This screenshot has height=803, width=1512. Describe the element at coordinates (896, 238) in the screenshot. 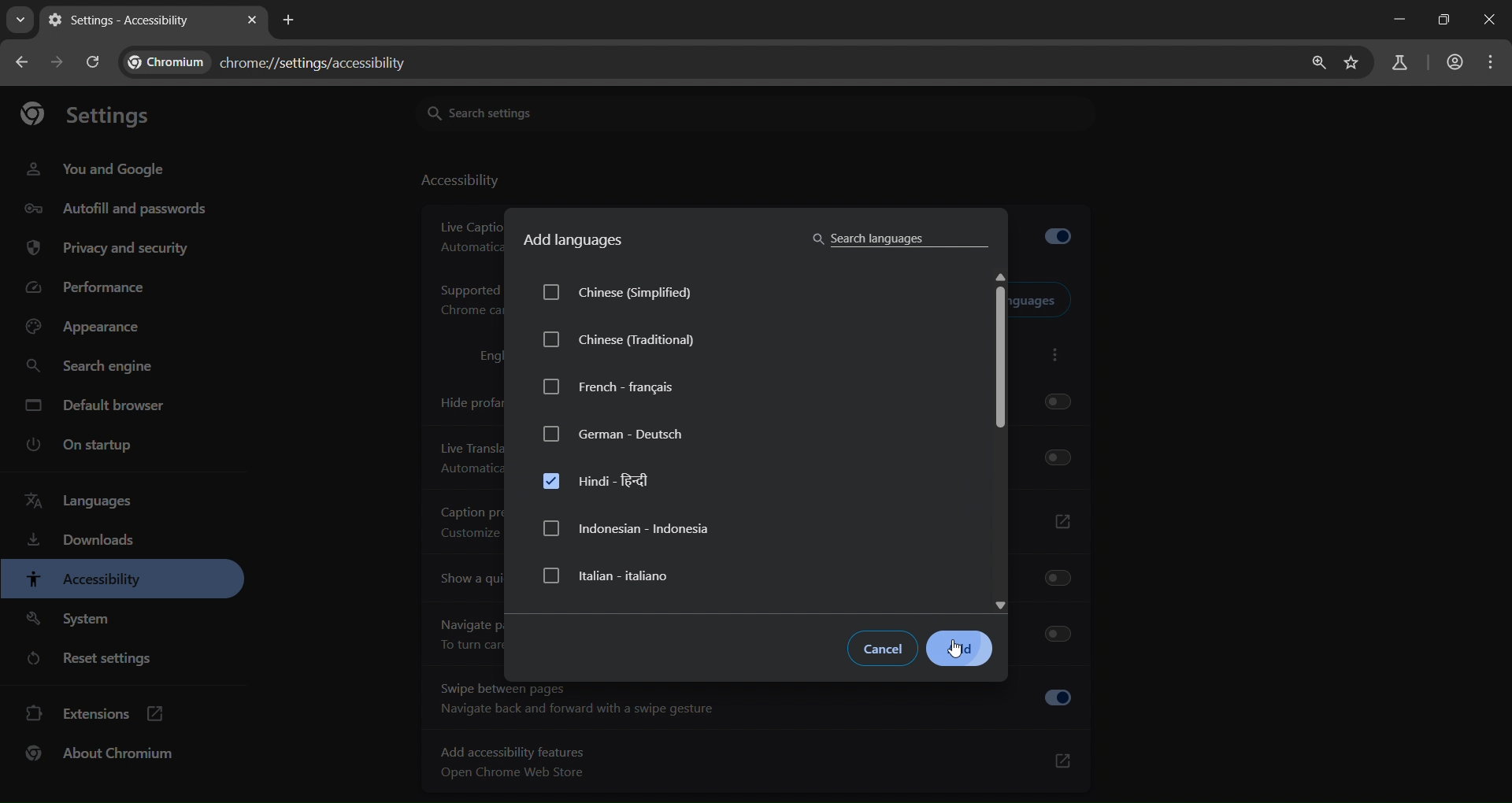

I see `search  languages` at that location.